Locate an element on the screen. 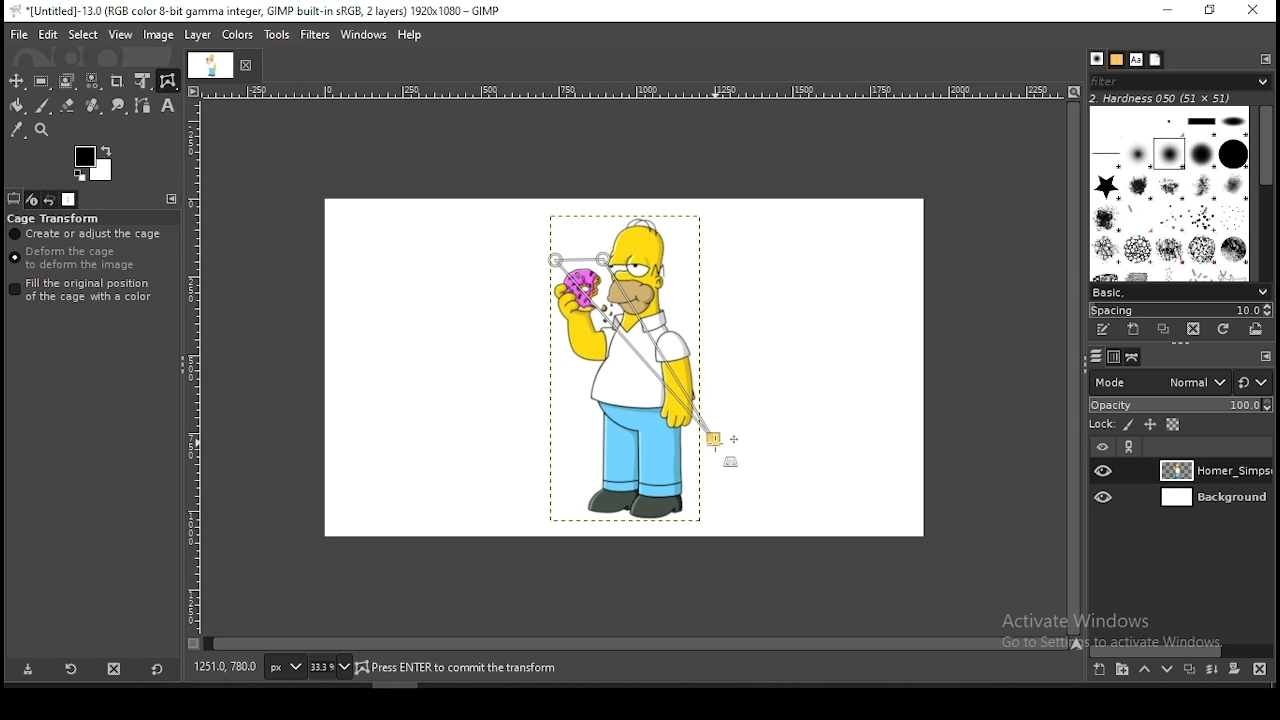 The image size is (1280, 720). merge layers is located at coordinates (1212, 672).